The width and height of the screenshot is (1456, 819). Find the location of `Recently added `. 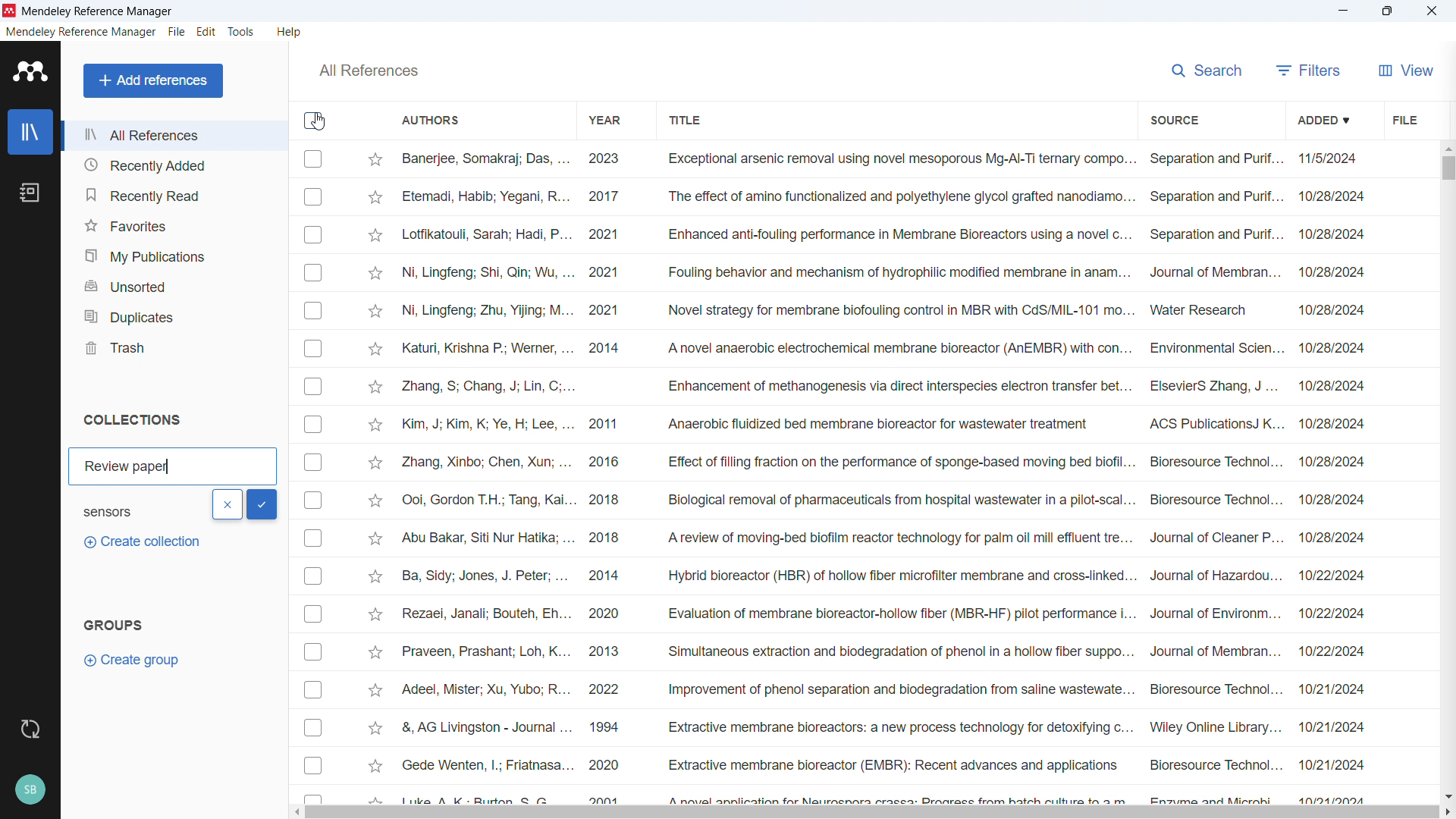

Recently added  is located at coordinates (174, 165).